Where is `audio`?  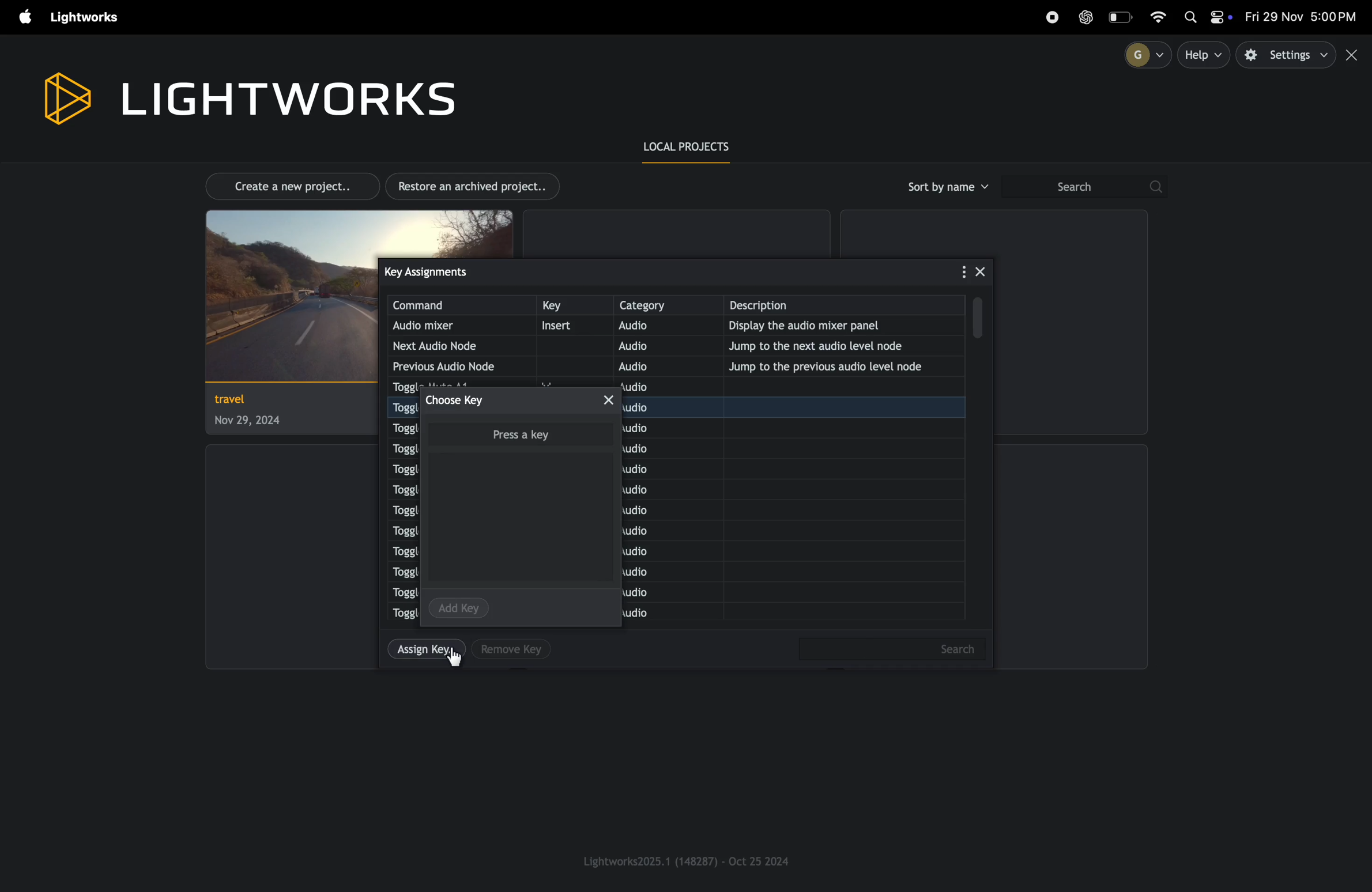 audio is located at coordinates (652, 365).